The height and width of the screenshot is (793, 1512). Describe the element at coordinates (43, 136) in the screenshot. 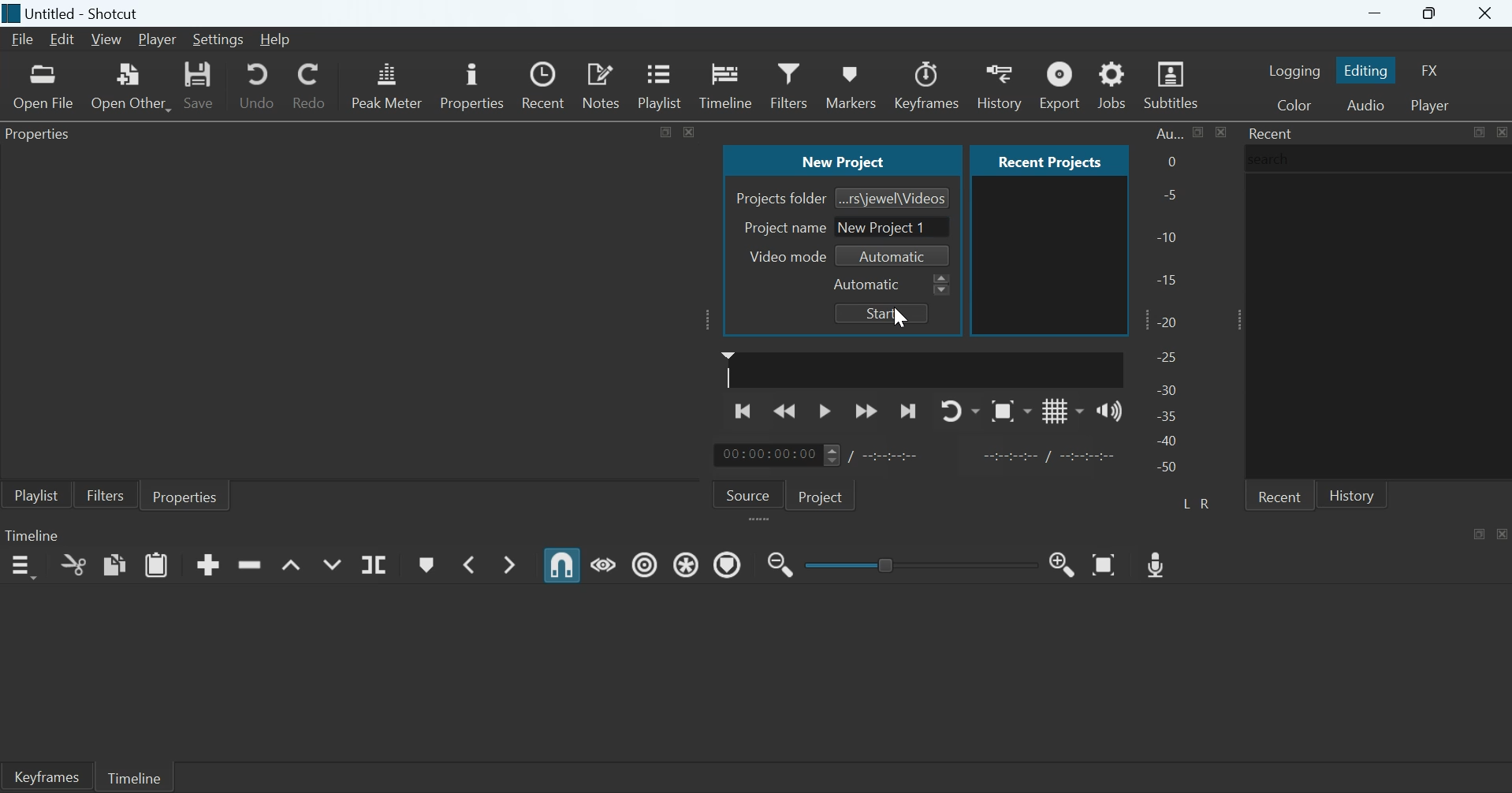

I see `Properties` at that location.